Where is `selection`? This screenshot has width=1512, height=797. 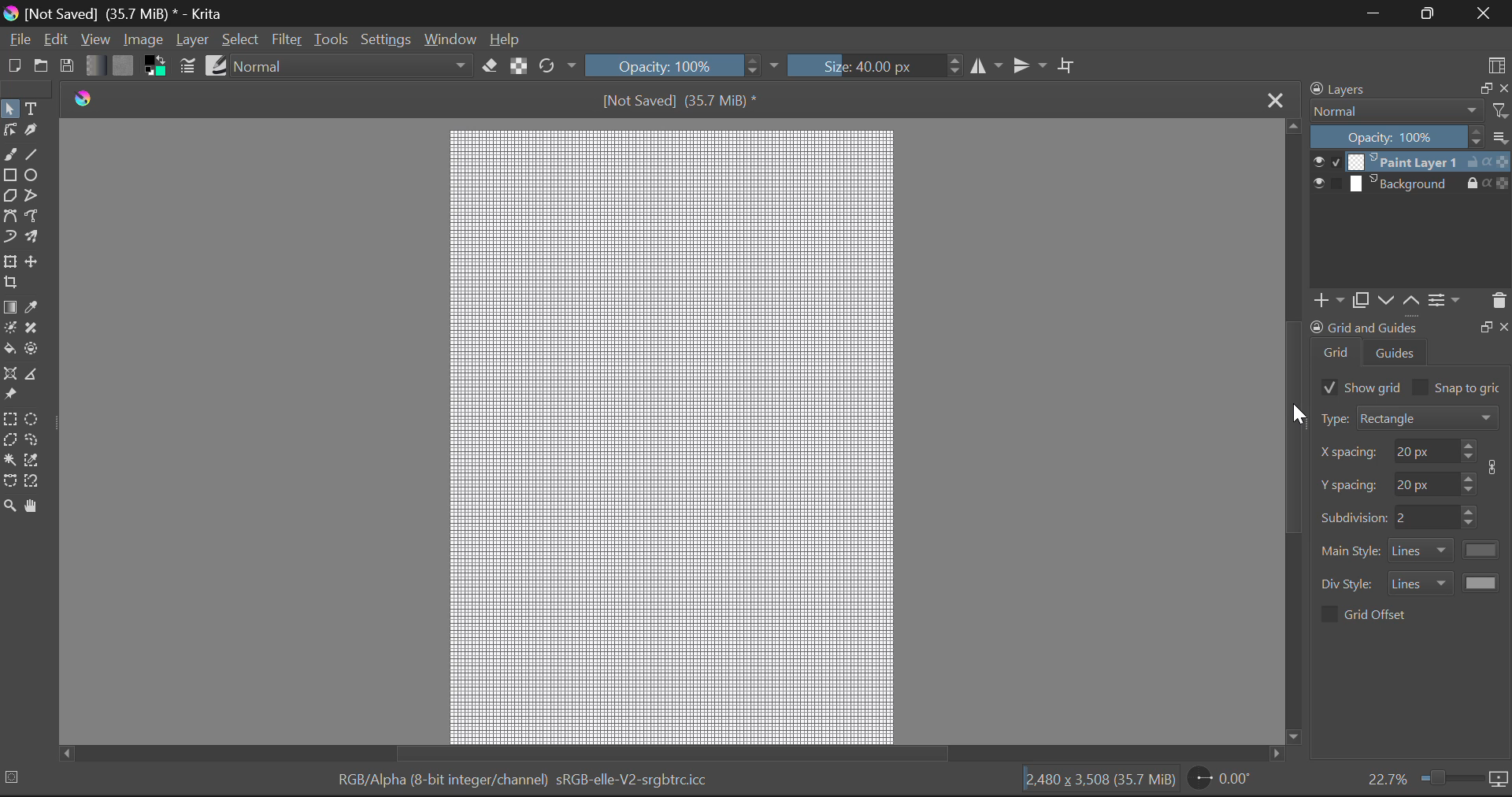 selection is located at coordinates (15, 777).